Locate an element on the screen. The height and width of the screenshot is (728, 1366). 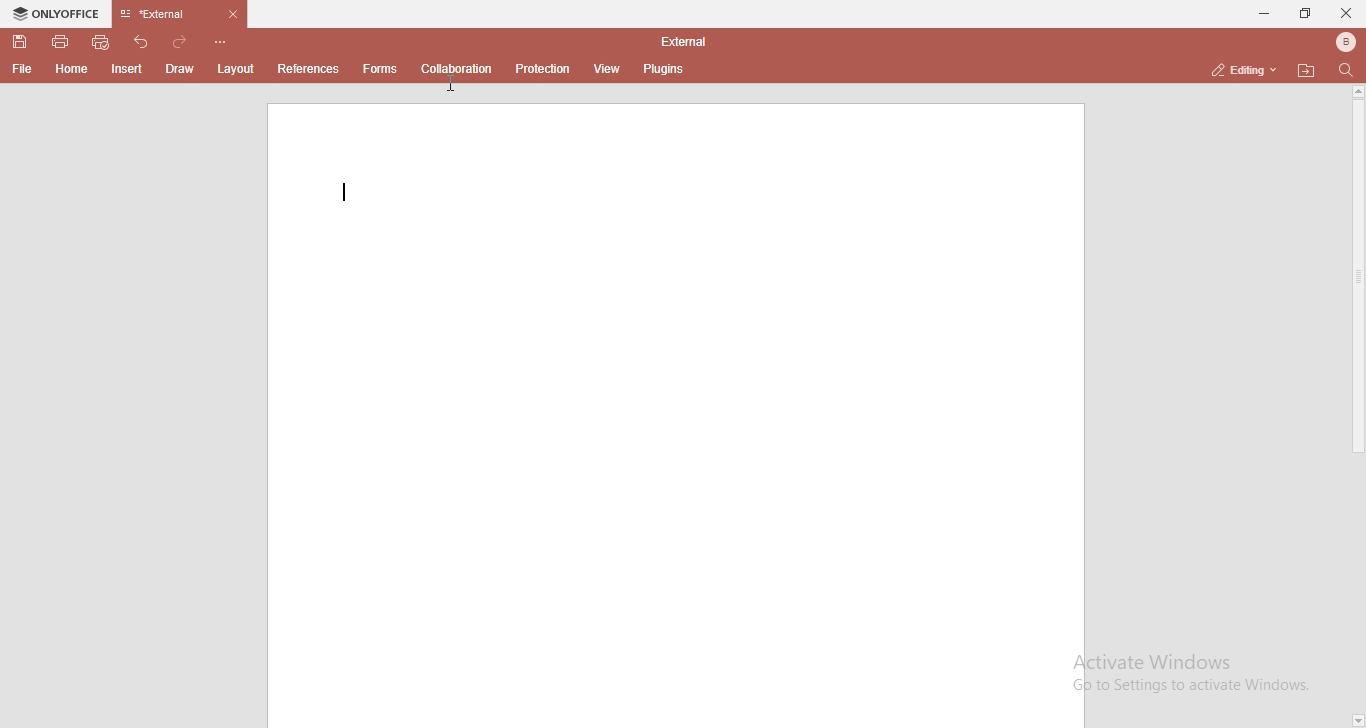
references is located at coordinates (311, 68).